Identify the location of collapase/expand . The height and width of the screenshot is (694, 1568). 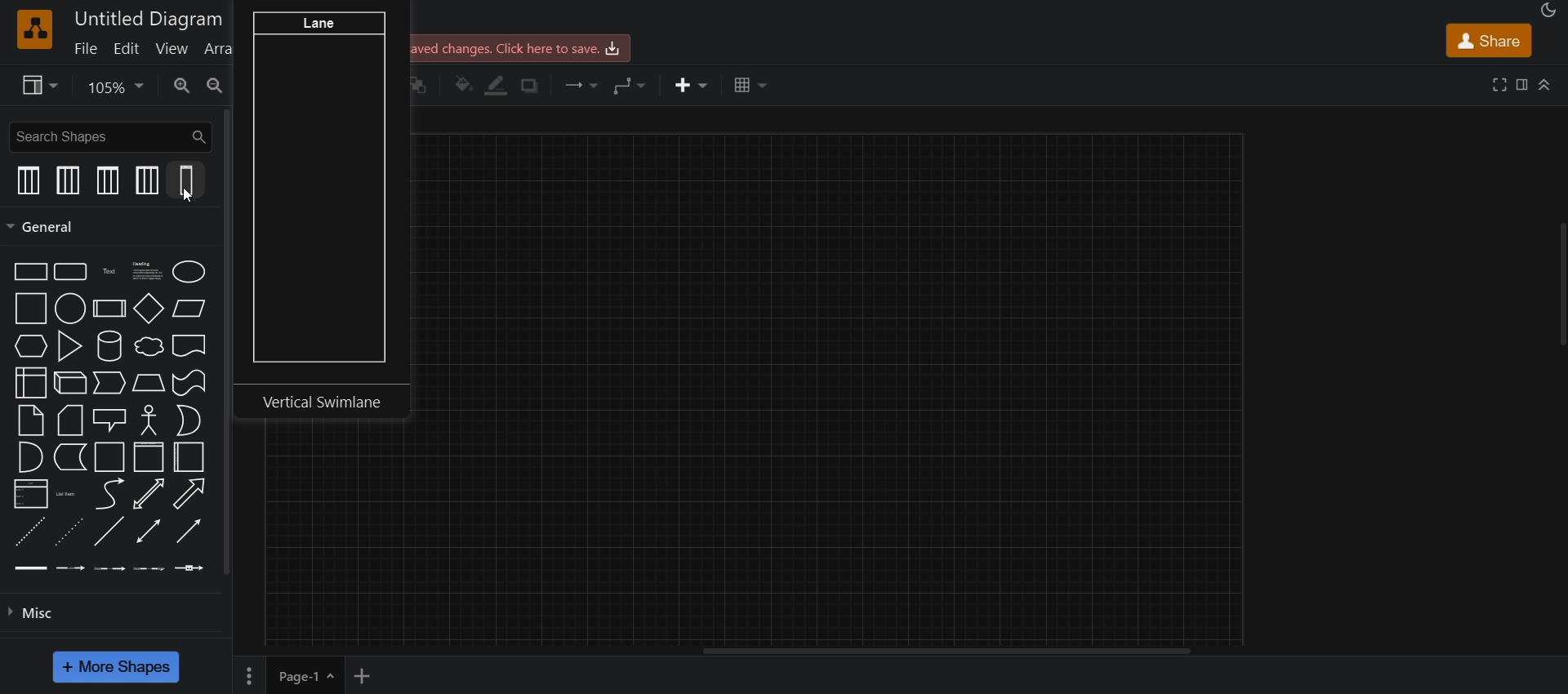
(1547, 81).